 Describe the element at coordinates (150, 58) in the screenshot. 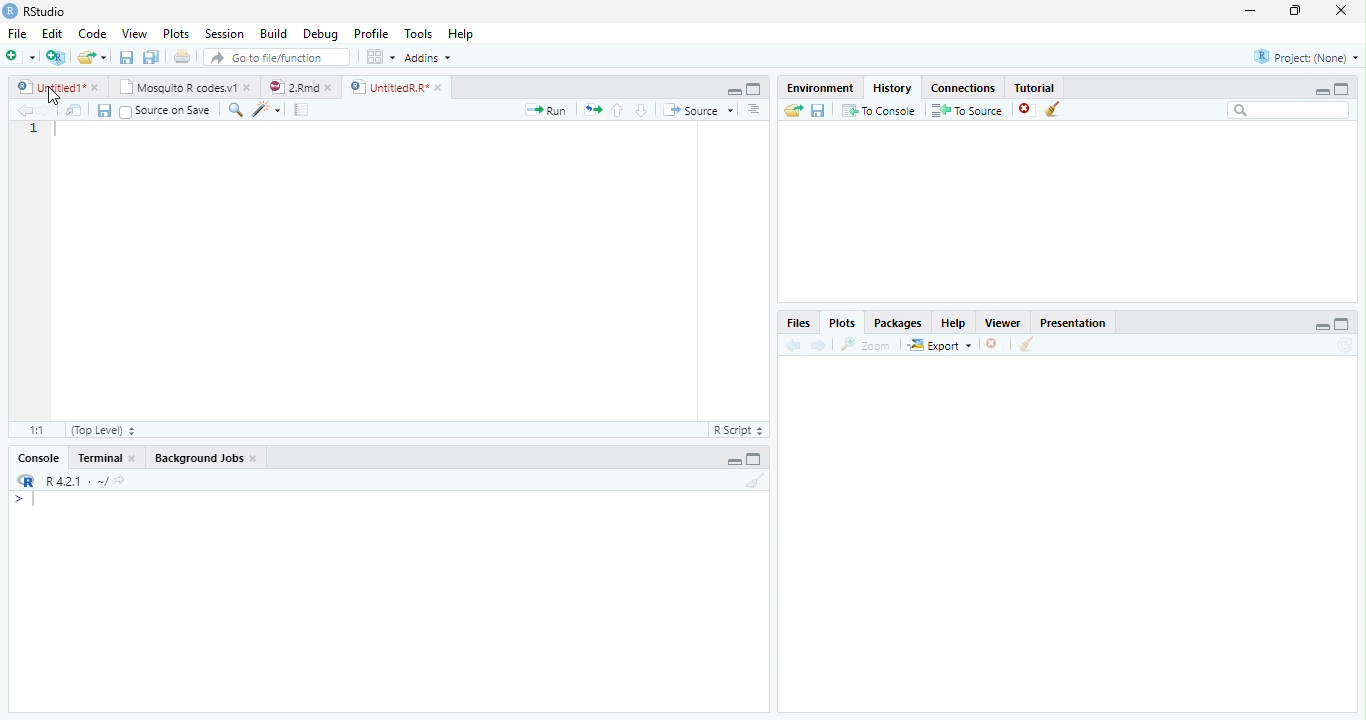

I see `Save all file` at that location.